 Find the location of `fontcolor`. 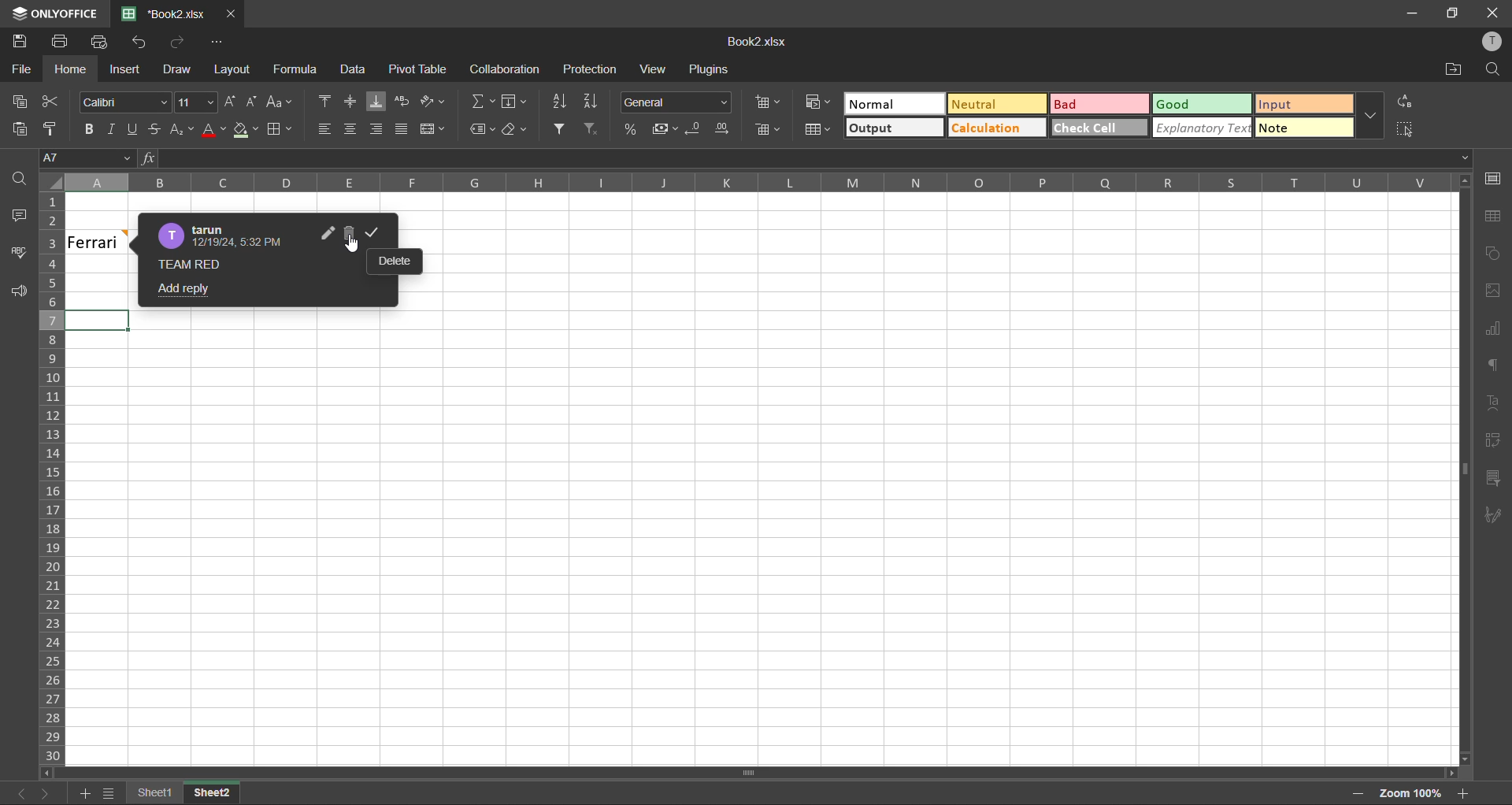

fontcolor is located at coordinates (213, 132).